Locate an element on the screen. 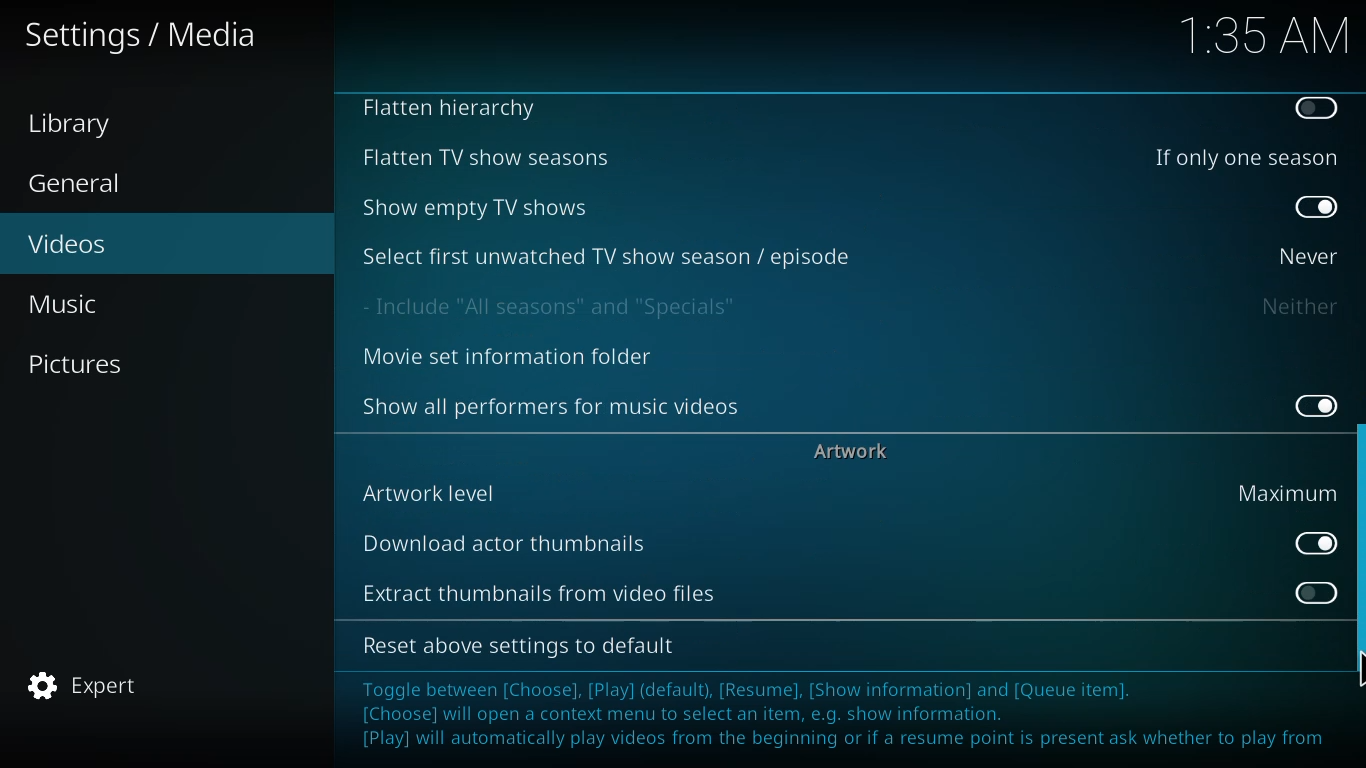  reset above settings to default is located at coordinates (524, 646).